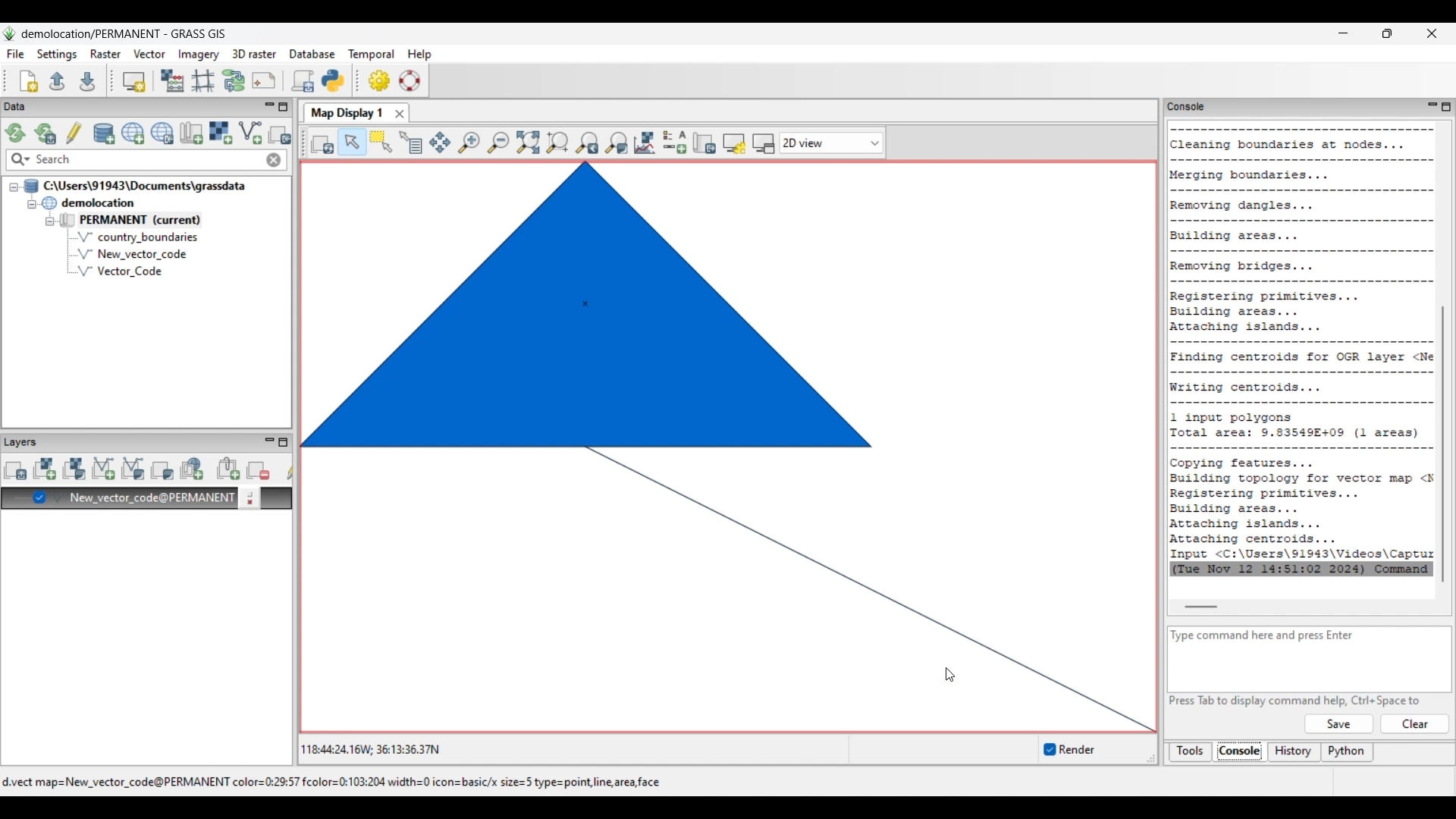 The width and height of the screenshot is (1456, 819). Describe the element at coordinates (134, 82) in the screenshot. I see `Start new map display` at that location.